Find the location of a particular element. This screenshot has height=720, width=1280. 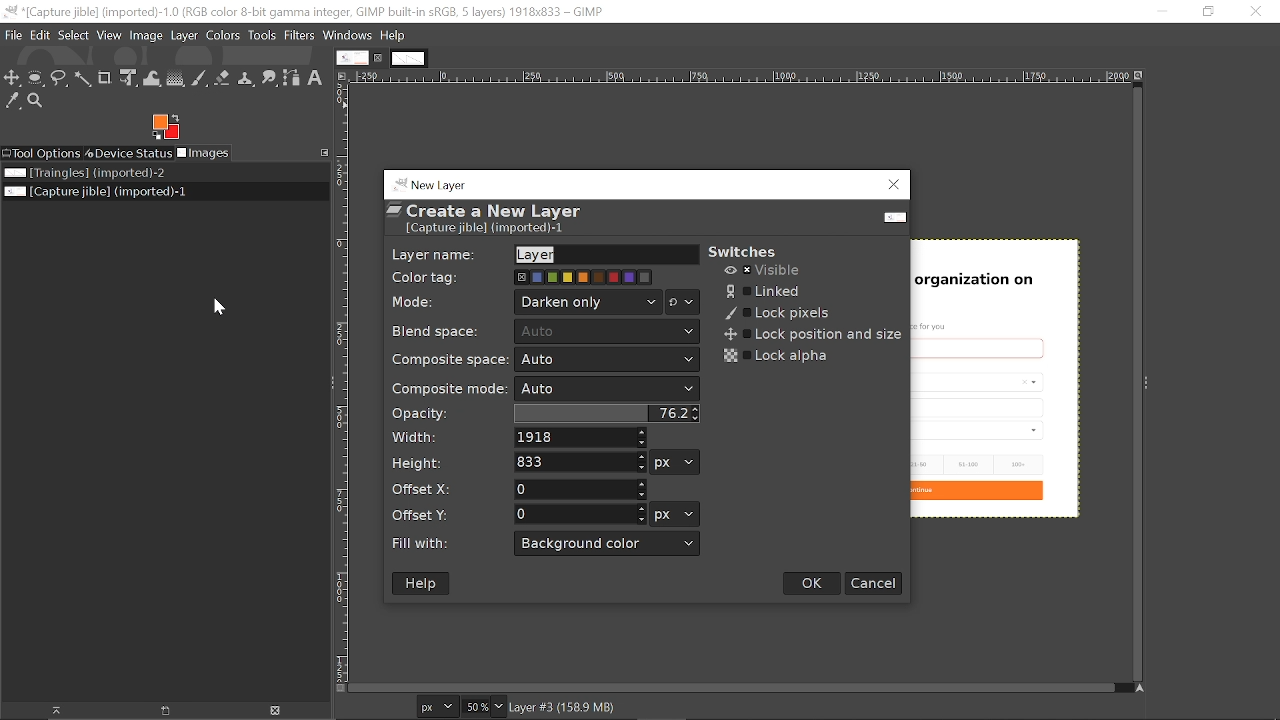

Help is located at coordinates (392, 36).